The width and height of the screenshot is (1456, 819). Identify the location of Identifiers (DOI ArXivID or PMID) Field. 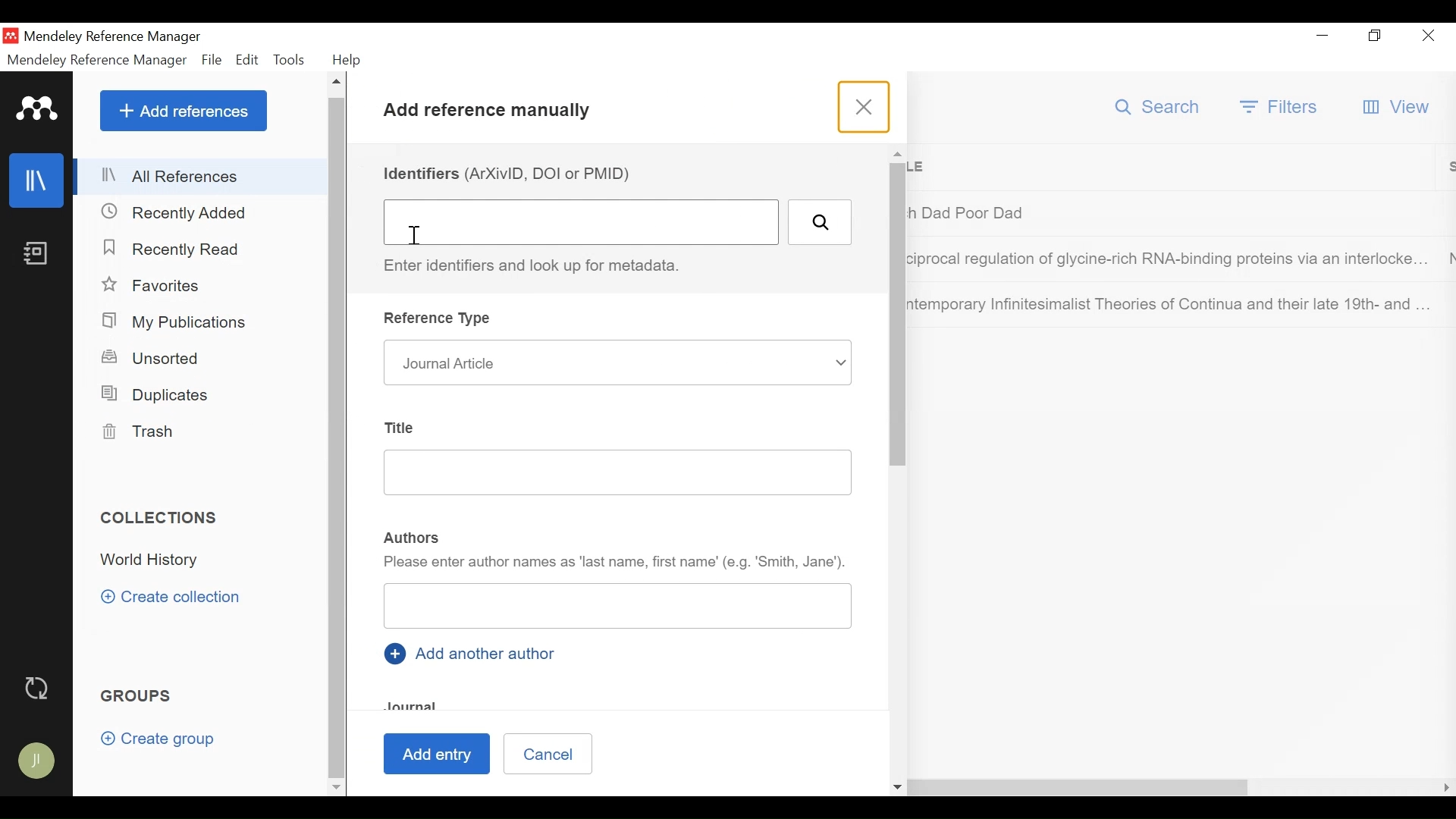
(580, 221).